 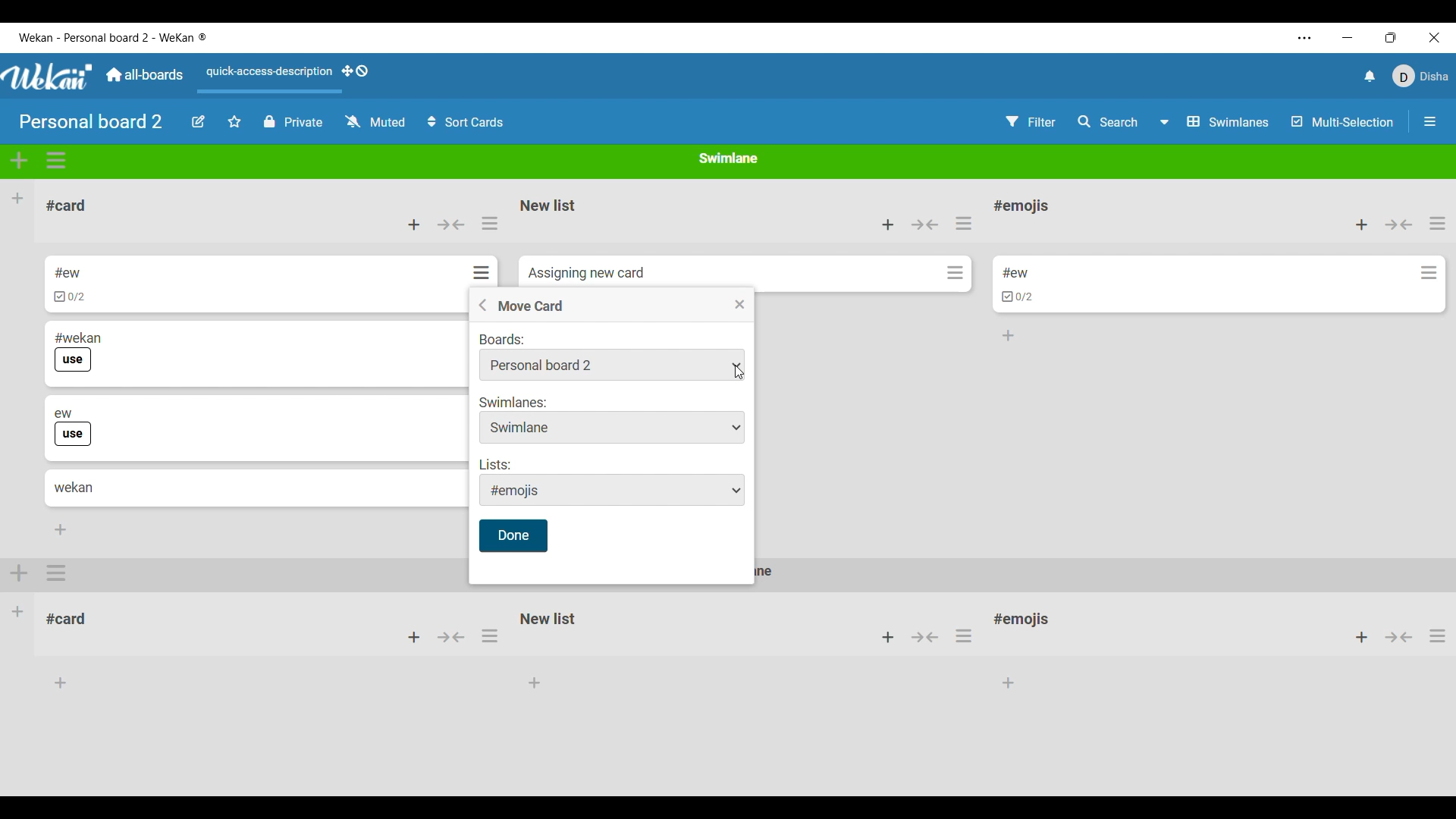 What do you see at coordinates (74, 488) in the screenshot?
I see `Card title` at bounding box center [74, 488].